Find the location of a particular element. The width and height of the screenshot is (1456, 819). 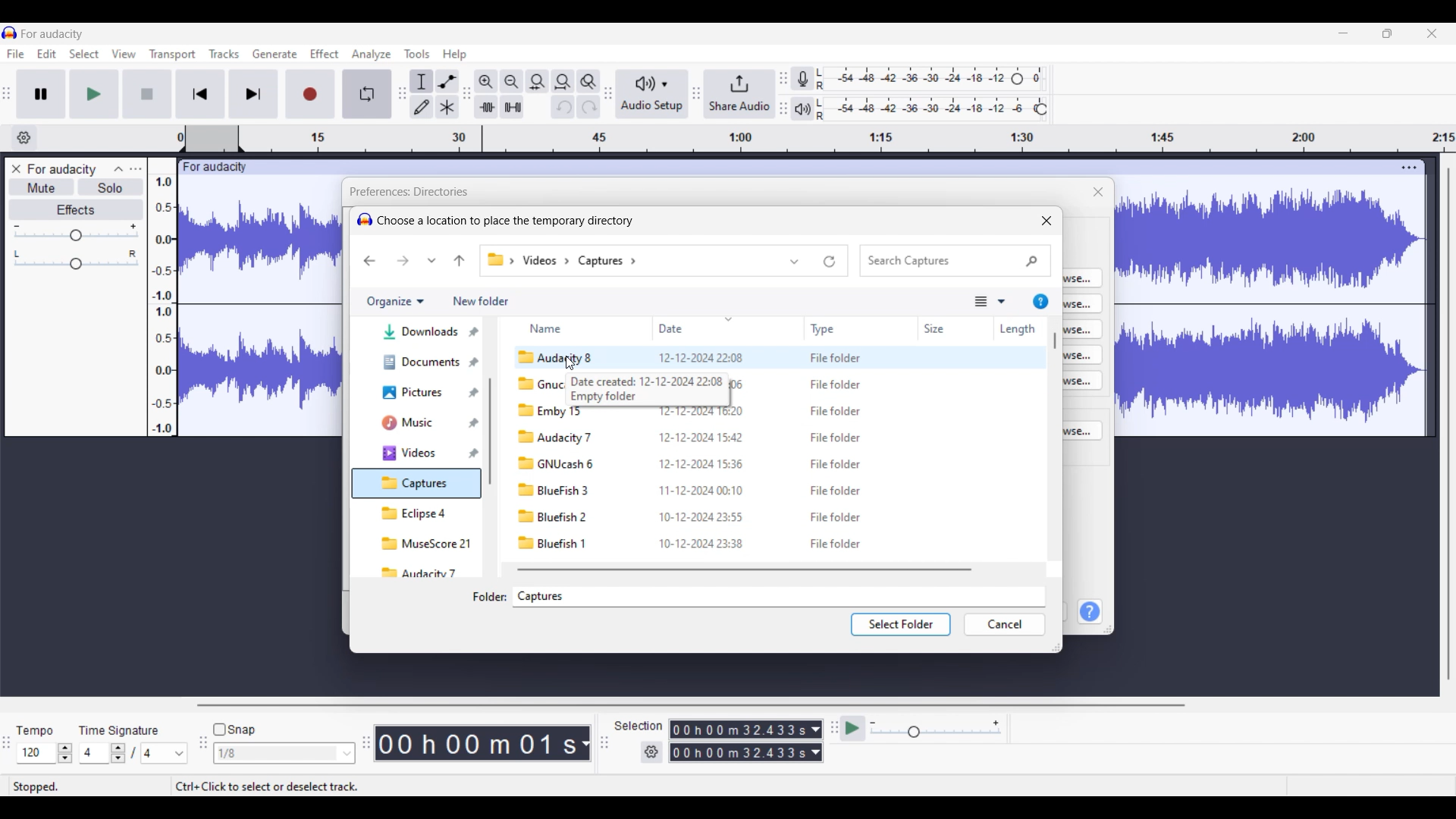

timestamp is located at coordinates (817, 139).